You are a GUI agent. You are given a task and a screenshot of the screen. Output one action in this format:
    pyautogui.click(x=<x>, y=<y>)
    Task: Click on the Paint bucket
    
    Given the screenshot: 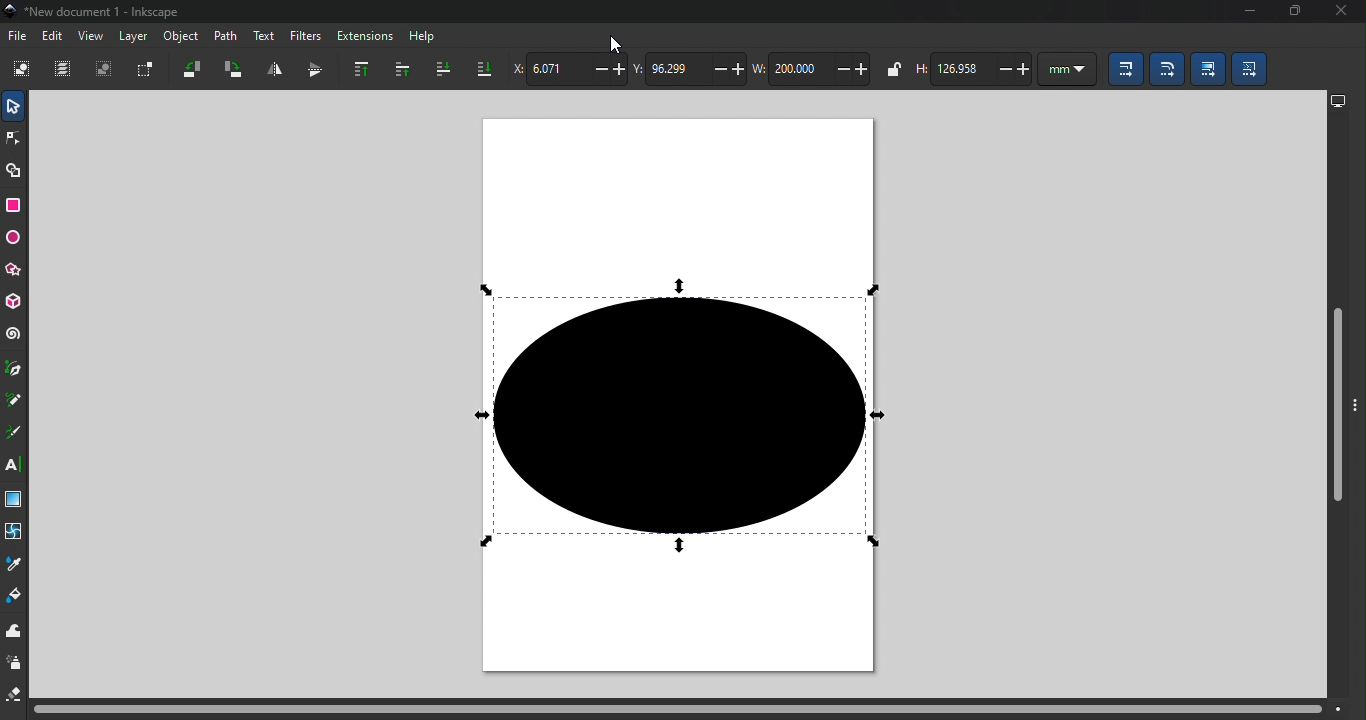 What is the action you would take?
    pyautogui.click(x=15, y=596)
    